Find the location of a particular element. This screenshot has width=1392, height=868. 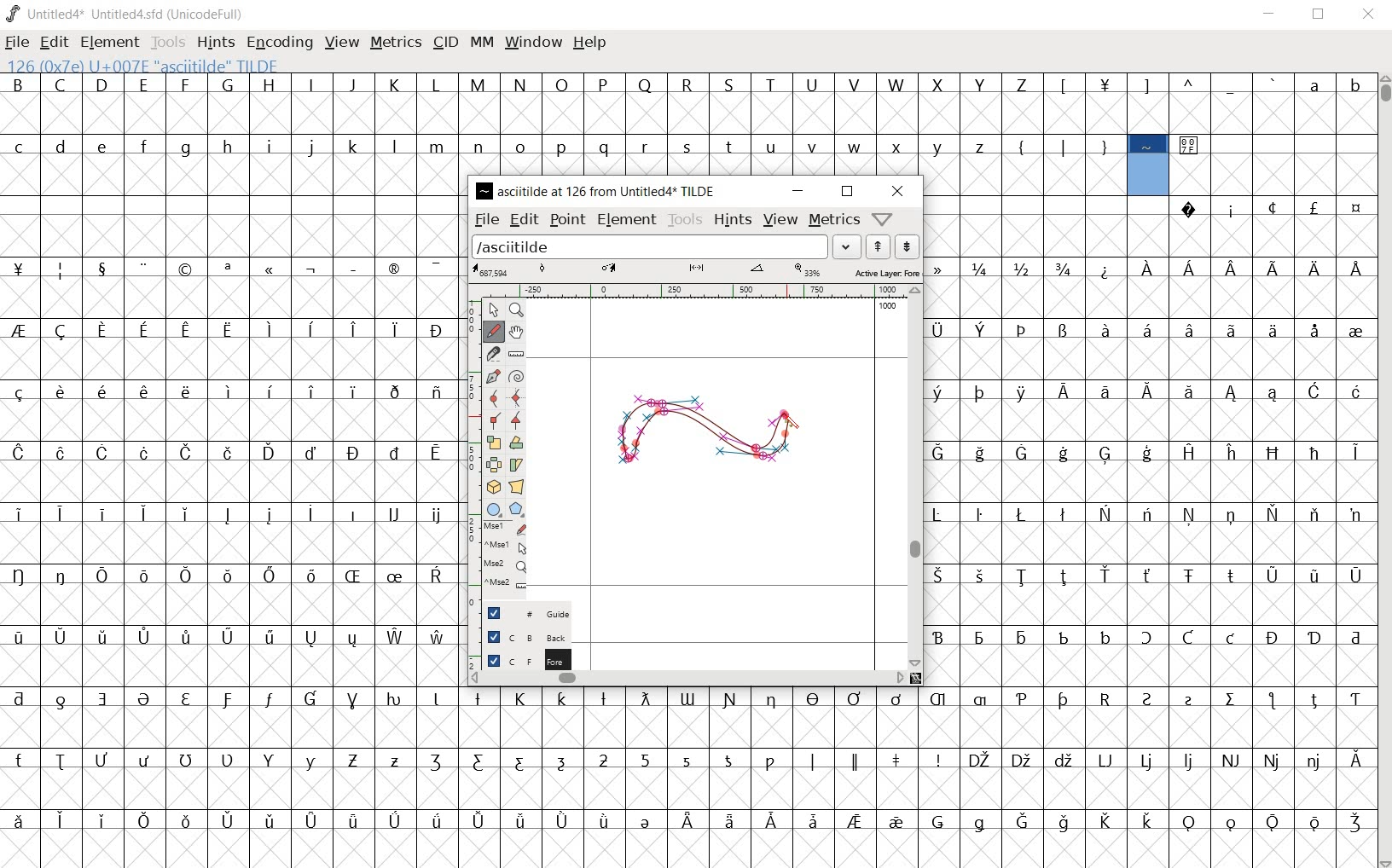

background is located at coordinates (519, 635).